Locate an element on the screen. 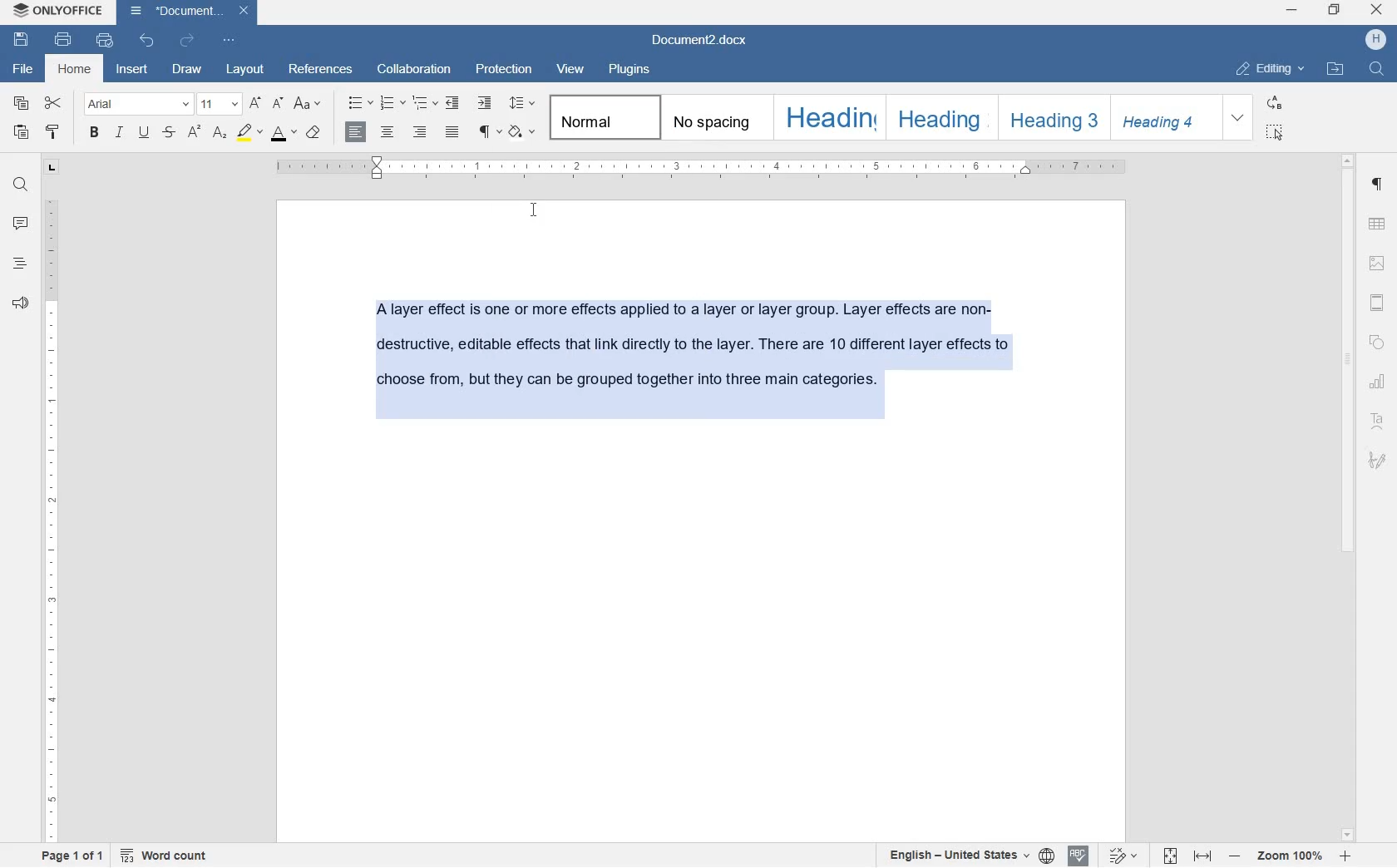  no spacing is located at coordinates (714, 117).